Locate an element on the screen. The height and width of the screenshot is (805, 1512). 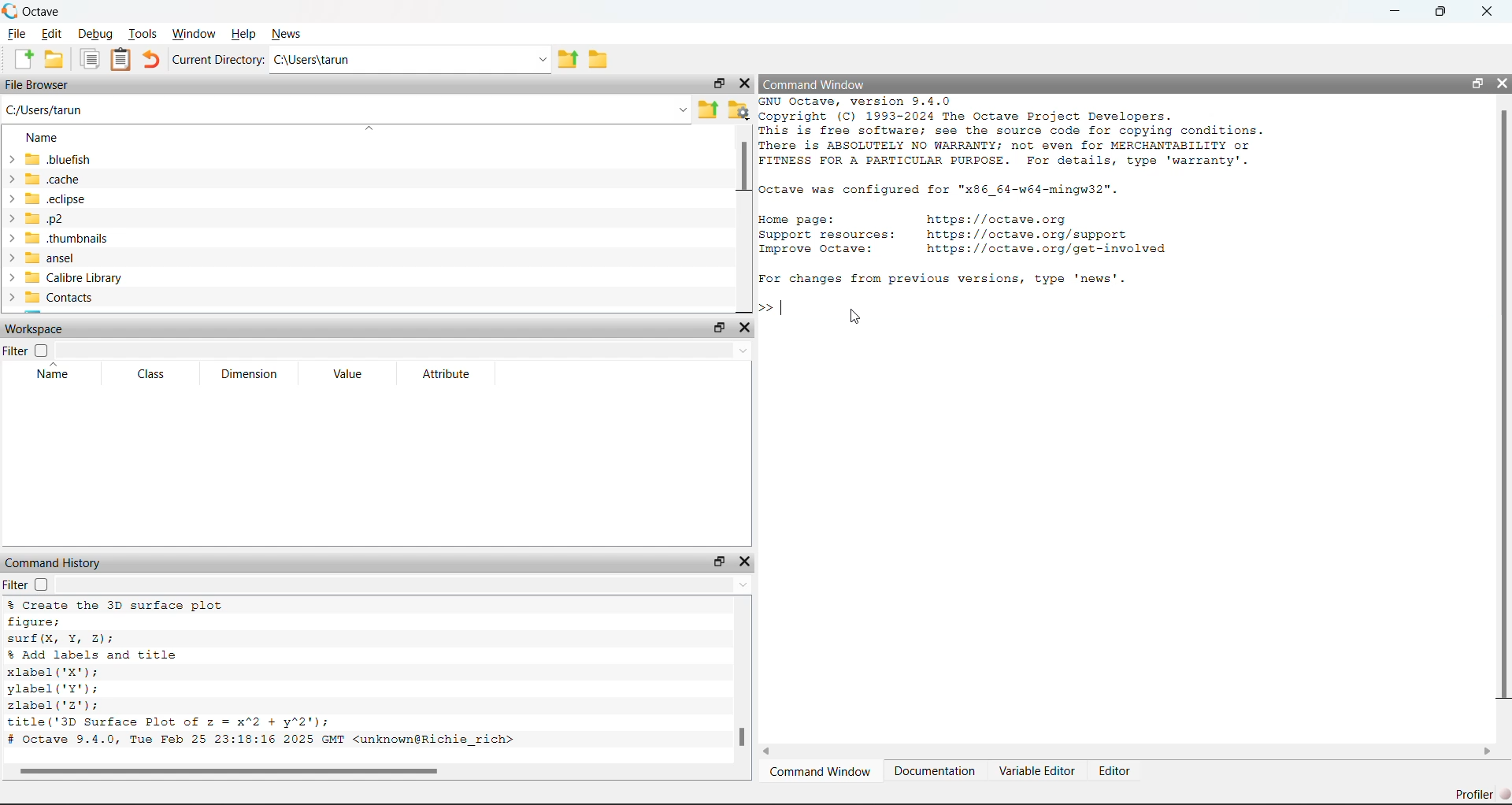
Documentation is located at coordinates (934, 772).